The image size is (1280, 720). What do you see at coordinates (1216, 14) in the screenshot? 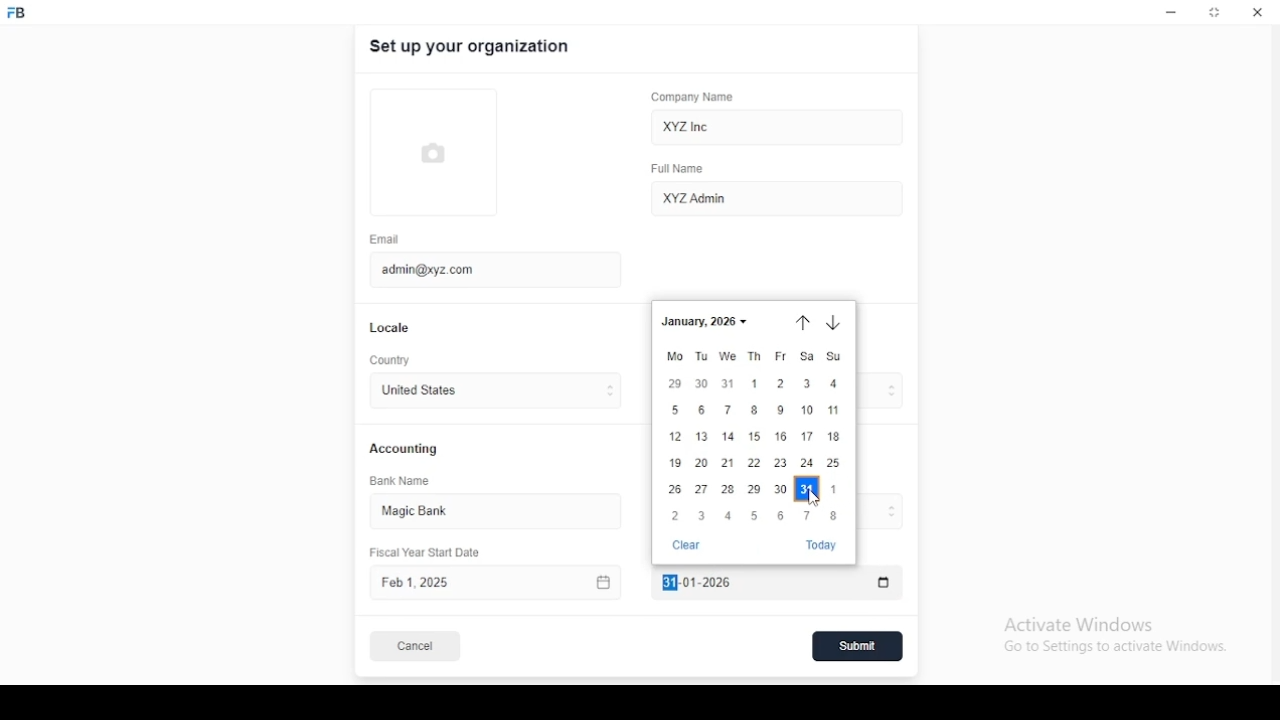
I see `restore` at bounding box center [1216, 14].